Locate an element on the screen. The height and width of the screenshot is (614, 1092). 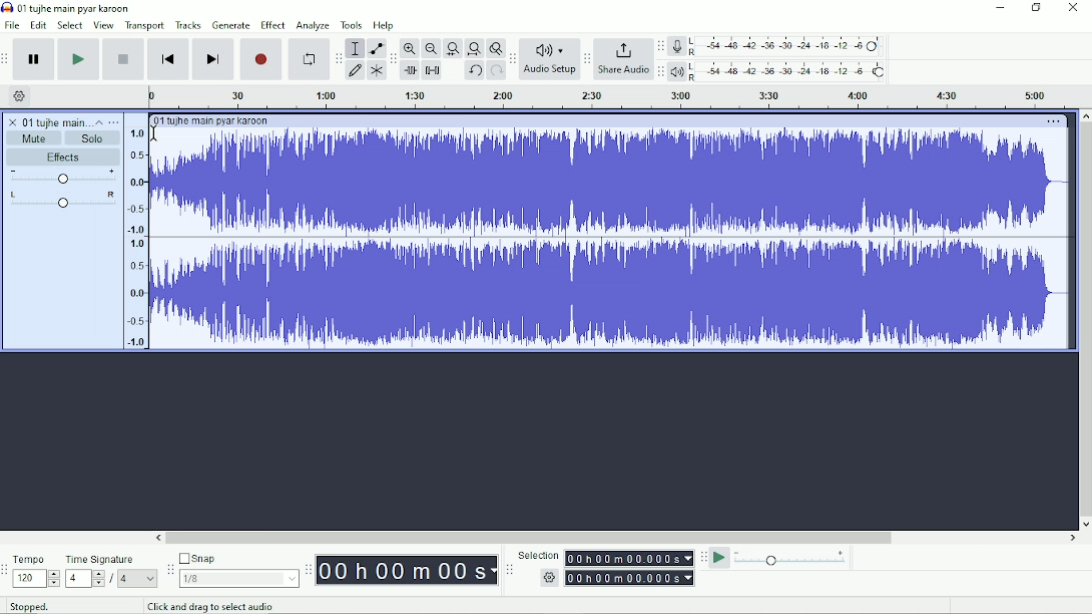
Audacity selection toolbar is located at coordinates (509, 570).